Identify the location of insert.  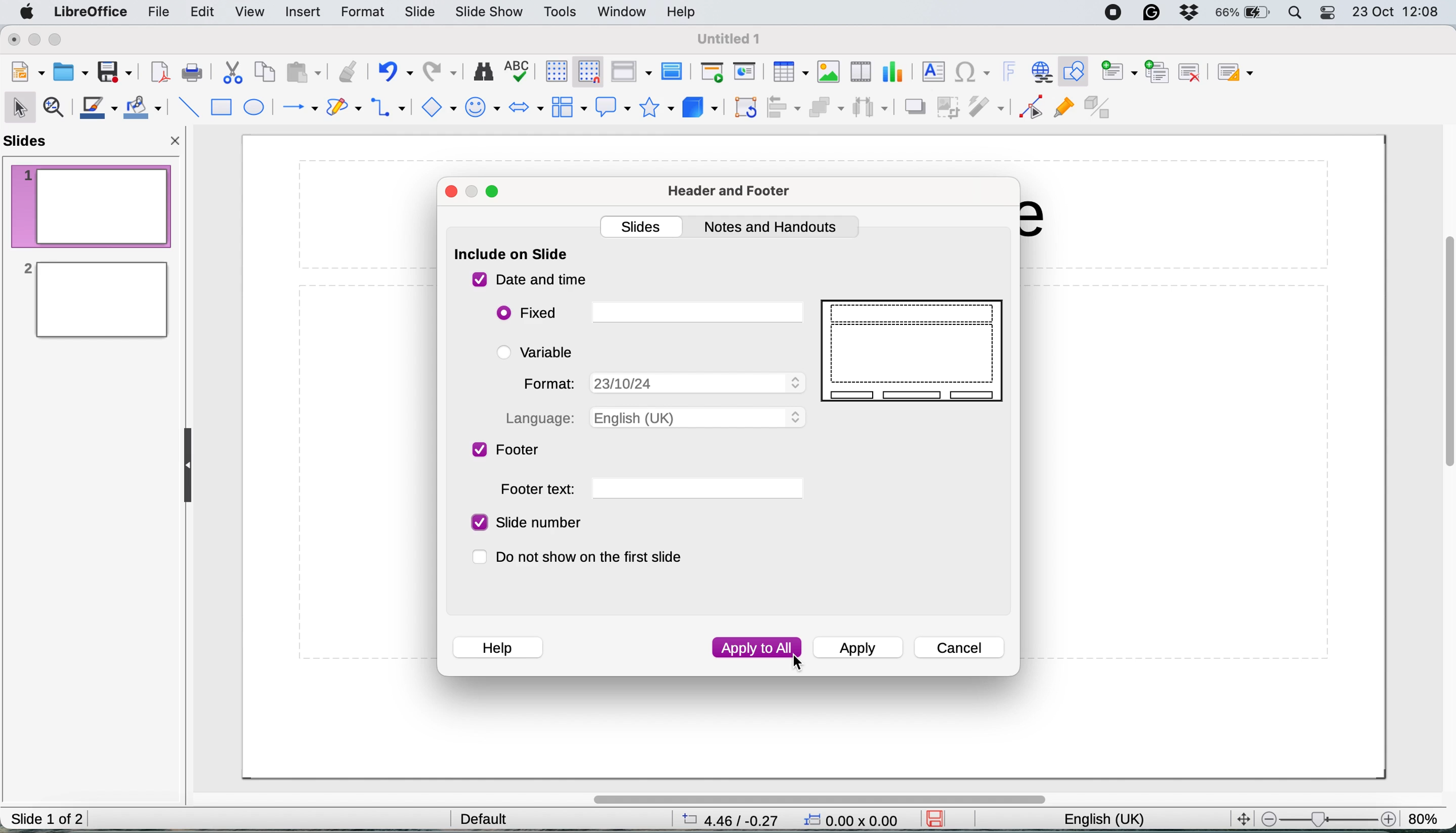
(301, 11).